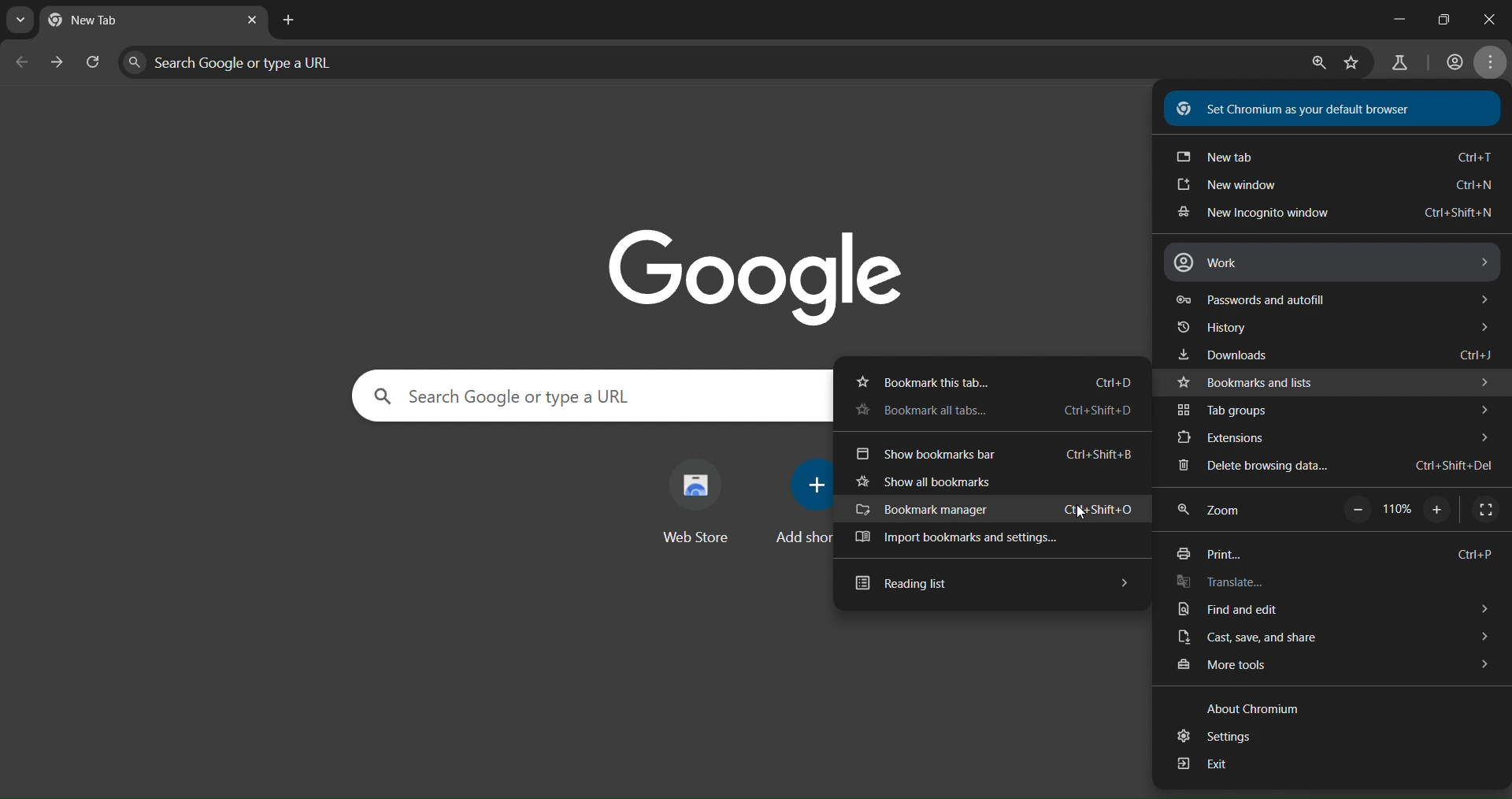  I want to click on close, so click(1492, 17).